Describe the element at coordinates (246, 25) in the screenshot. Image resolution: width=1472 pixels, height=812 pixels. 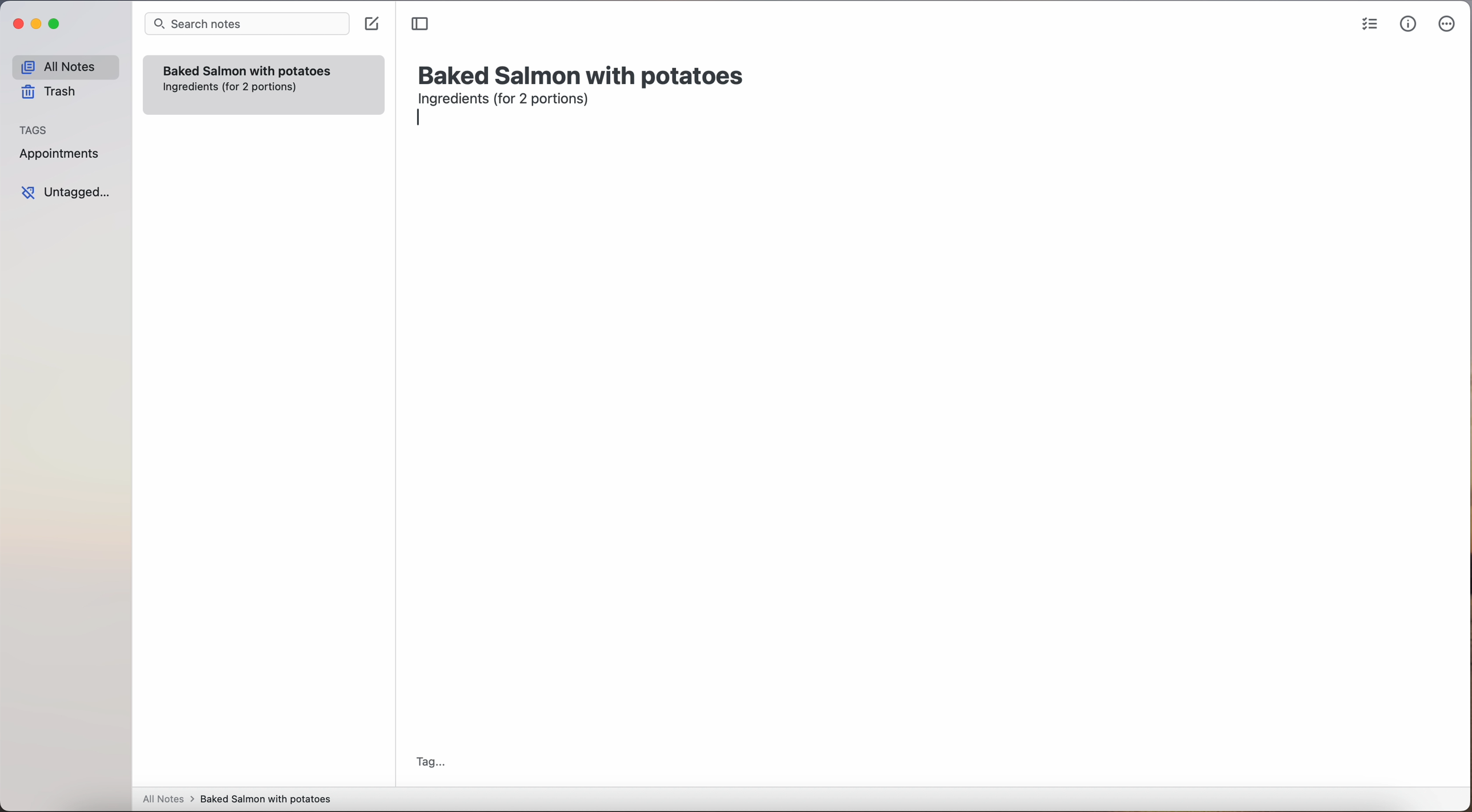
I see `search bar` at that location.